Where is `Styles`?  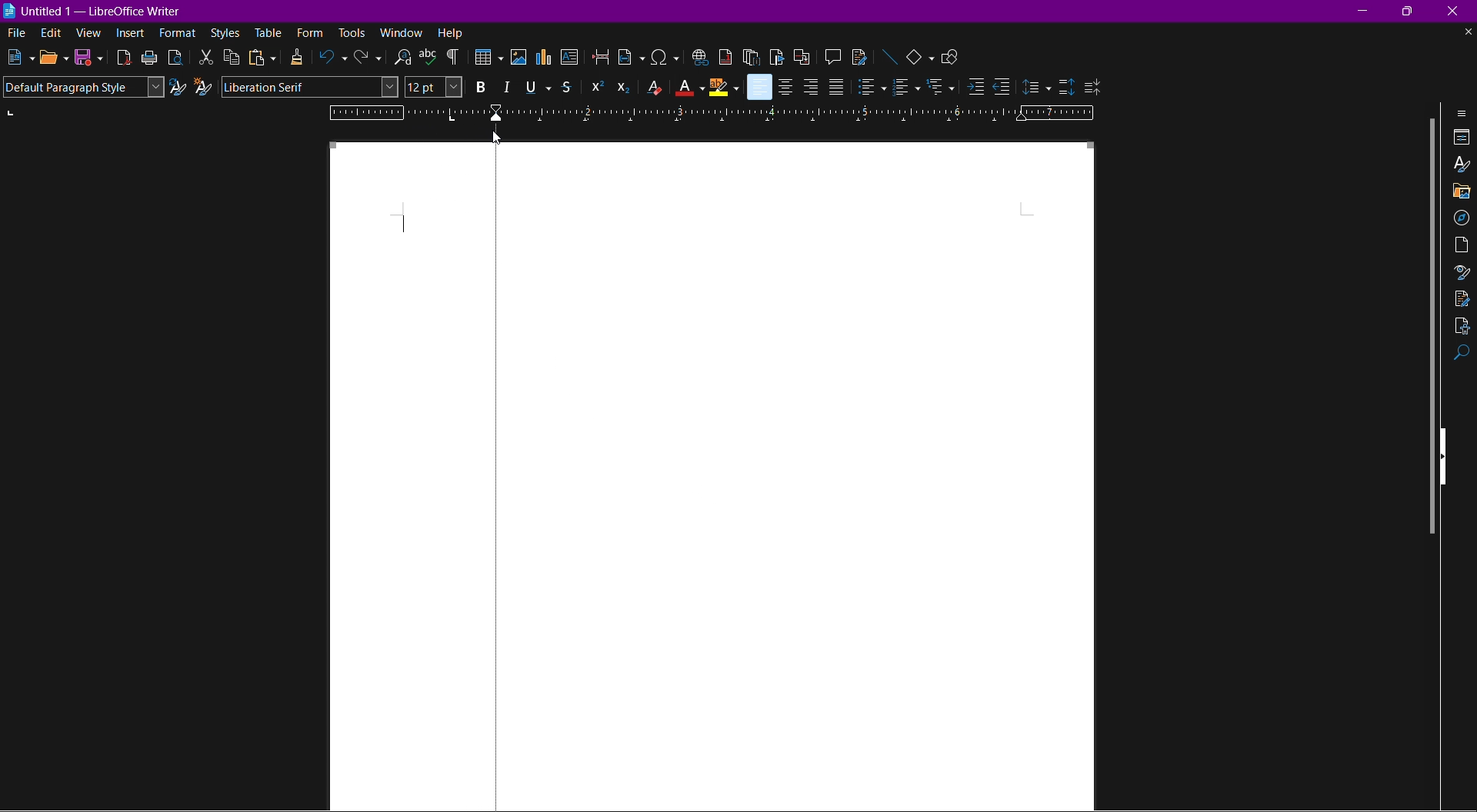
Styles is located at coordinates (225, 34).